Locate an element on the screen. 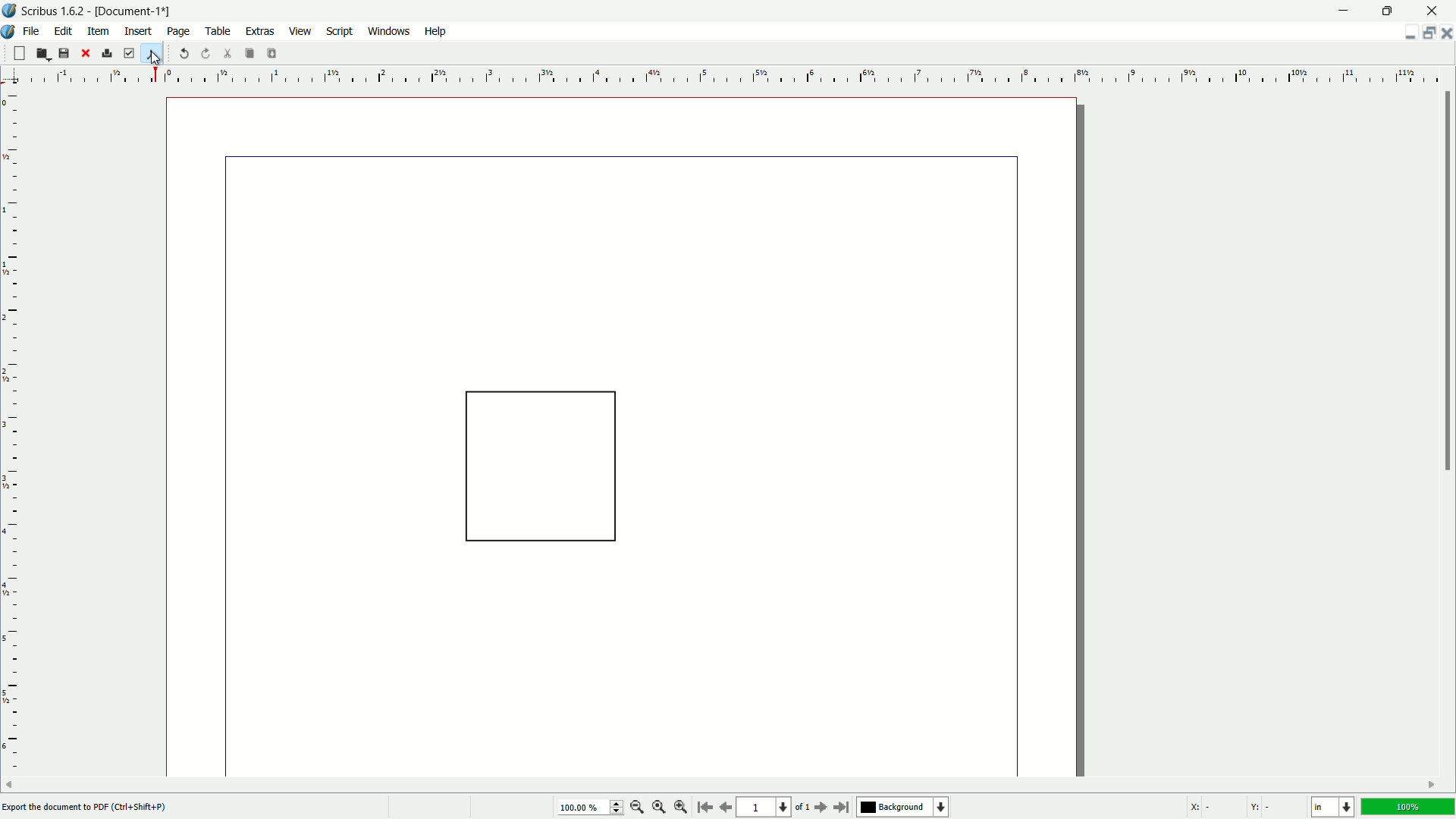  insert menu is located at coordinates (139, 32).